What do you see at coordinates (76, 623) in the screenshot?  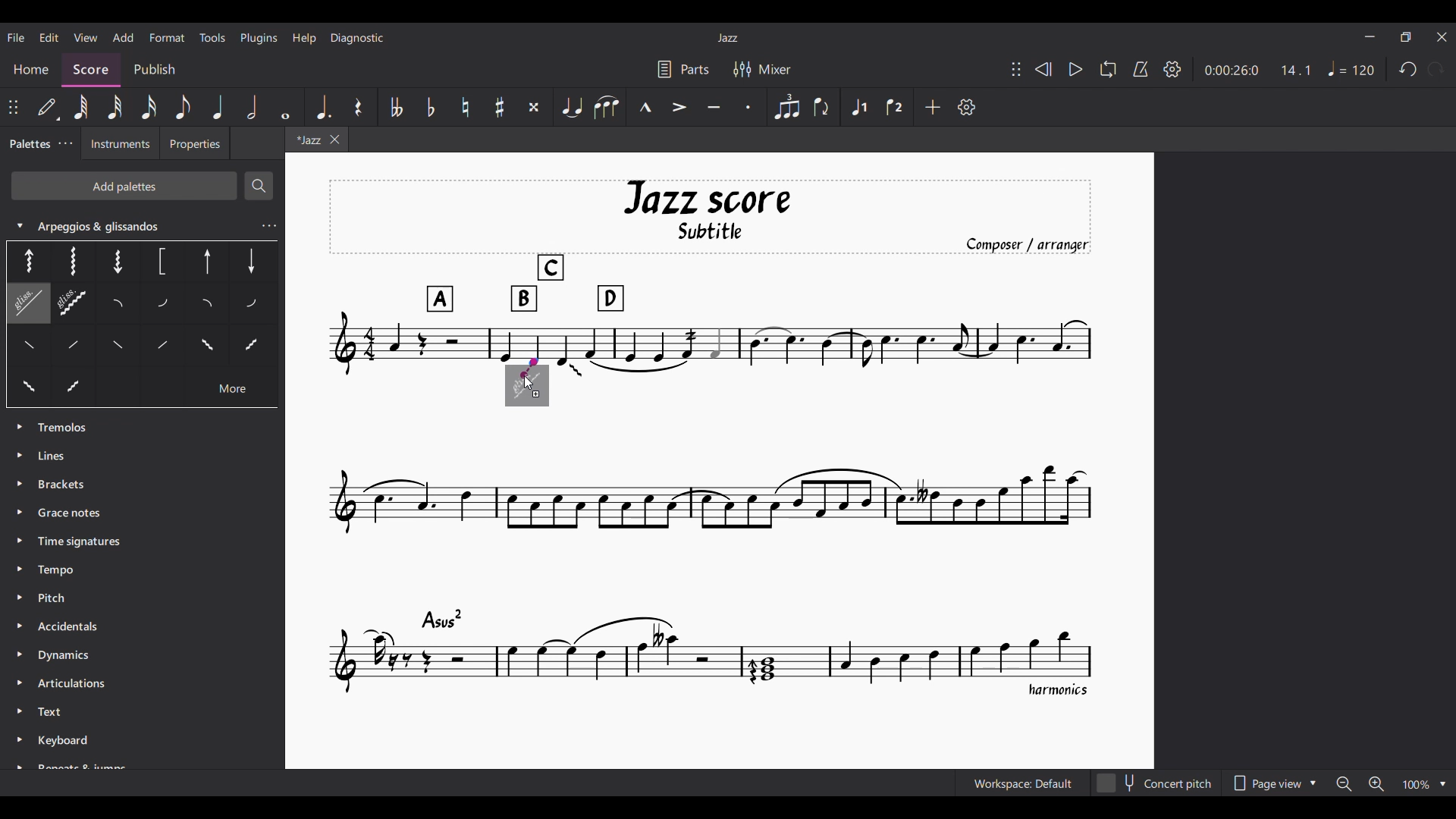 I see `Accidentals` at bounding box center [76, 623].